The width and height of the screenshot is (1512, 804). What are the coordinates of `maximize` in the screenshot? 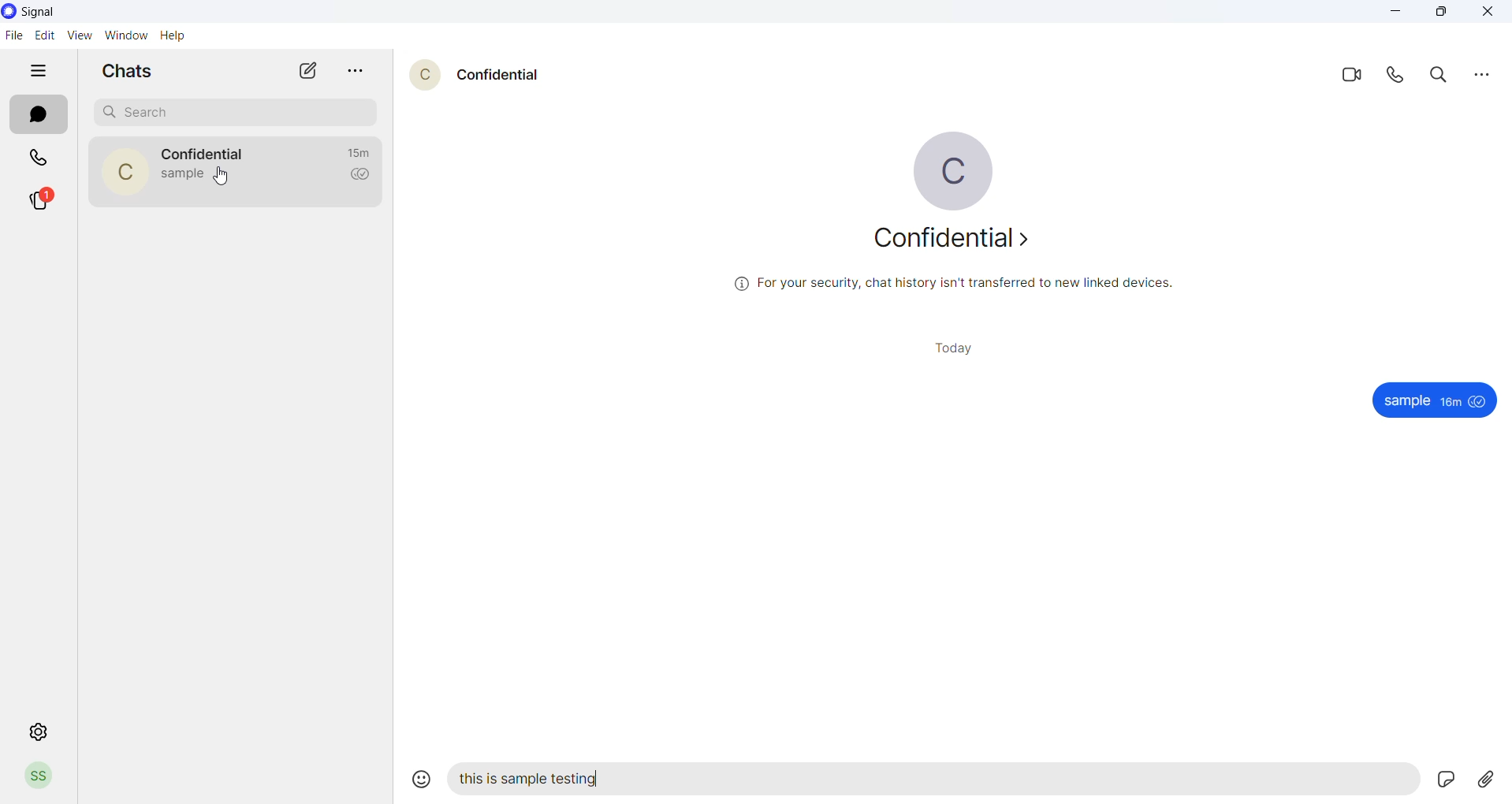 It's located at (1447, 15).